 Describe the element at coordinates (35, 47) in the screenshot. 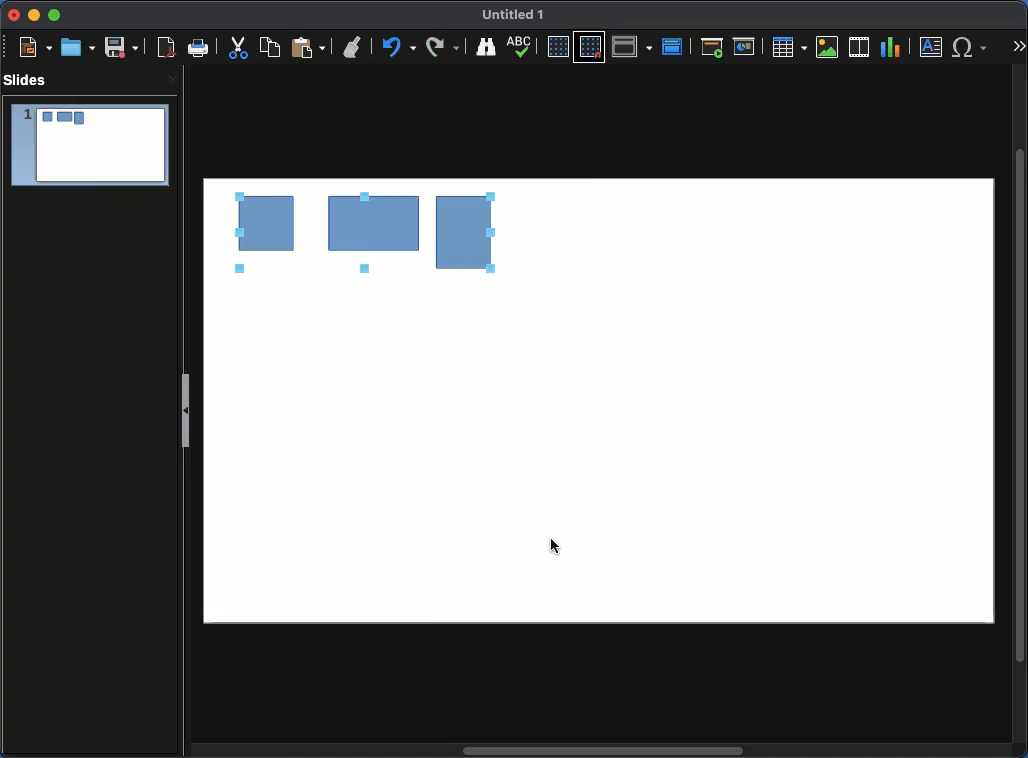

I see `New` at that location.